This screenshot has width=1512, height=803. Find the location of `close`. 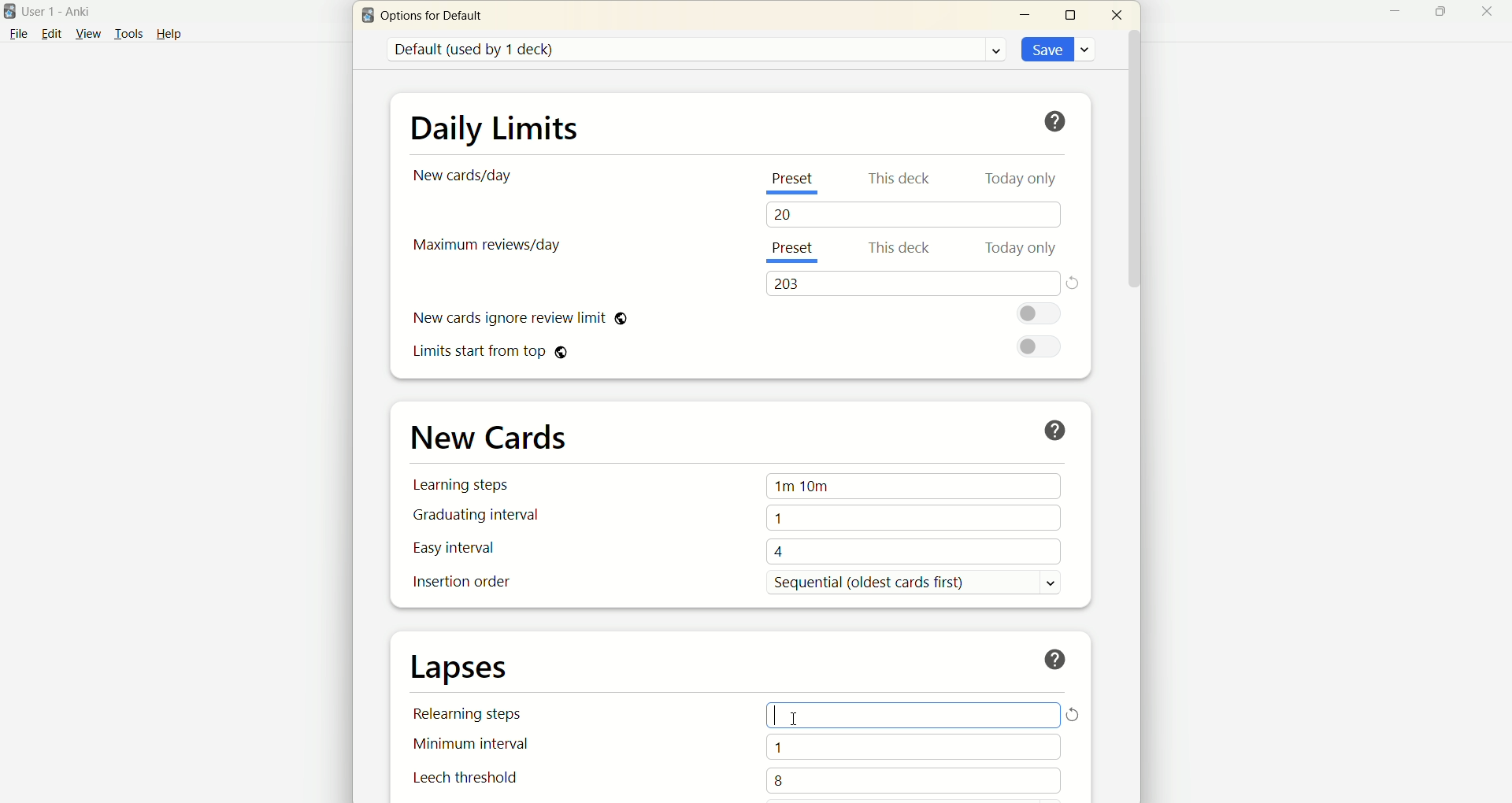

close is located at coordinates (1488, 13).